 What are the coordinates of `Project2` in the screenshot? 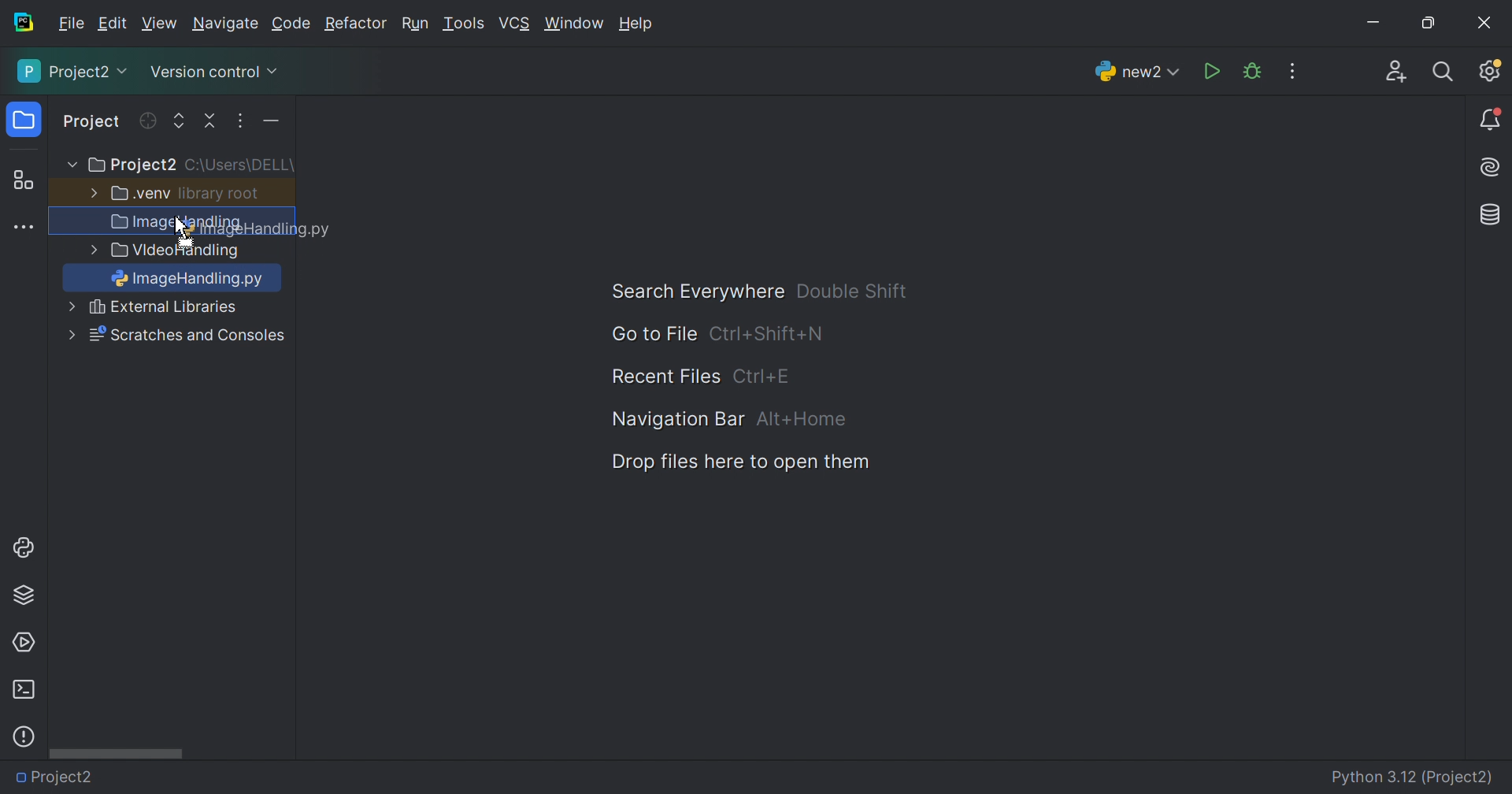 It's located at (62, 777).